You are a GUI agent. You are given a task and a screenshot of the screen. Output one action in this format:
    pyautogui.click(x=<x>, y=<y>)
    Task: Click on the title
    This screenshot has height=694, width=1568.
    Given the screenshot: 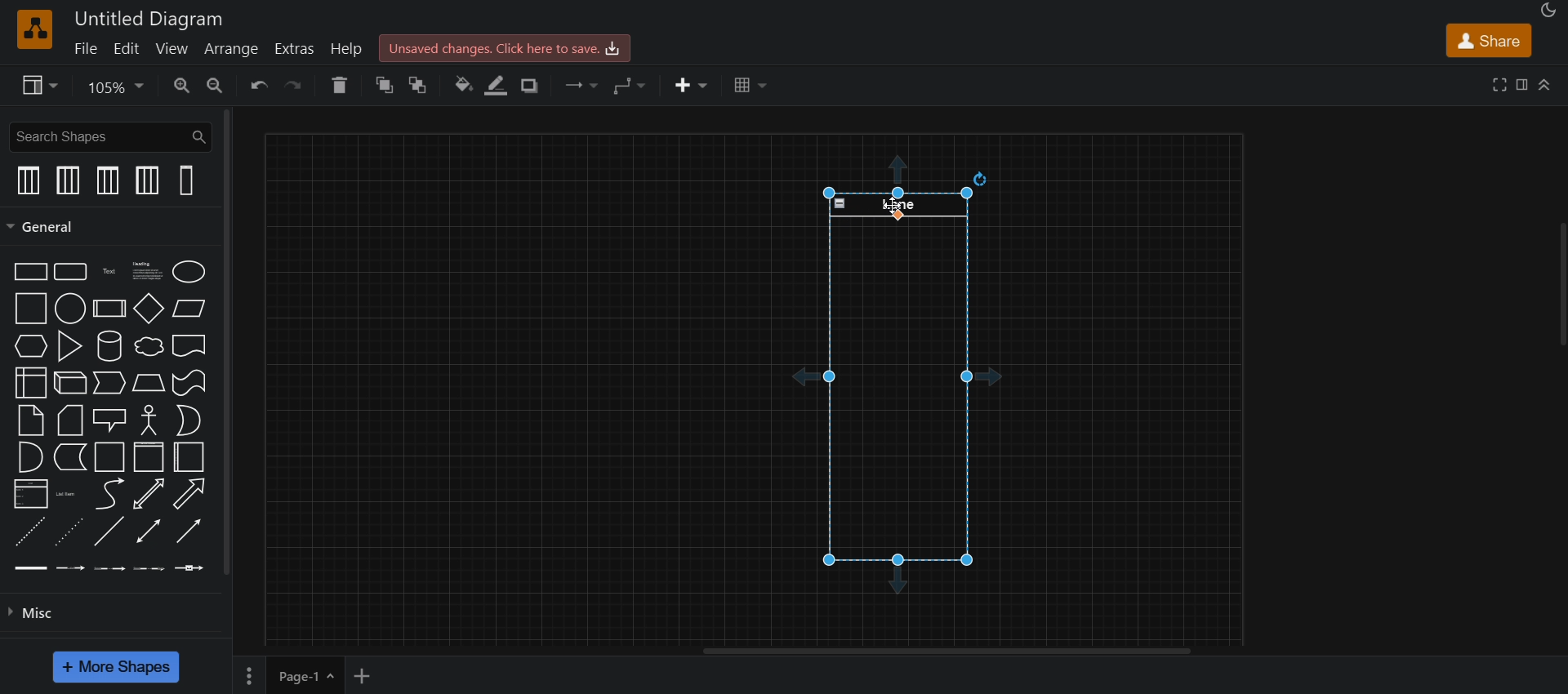 What is the action you would take?
    pyautogui.click(x=145, y=19)
    